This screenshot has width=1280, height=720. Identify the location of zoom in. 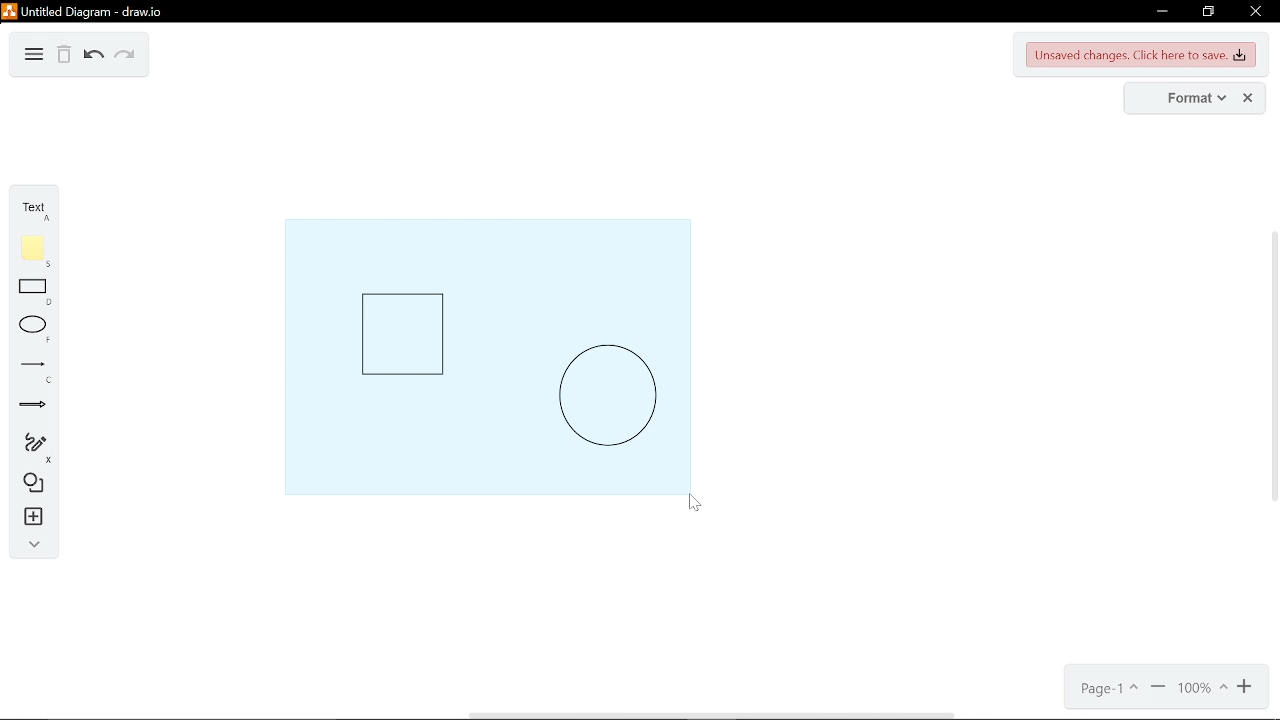
(1246, 690).